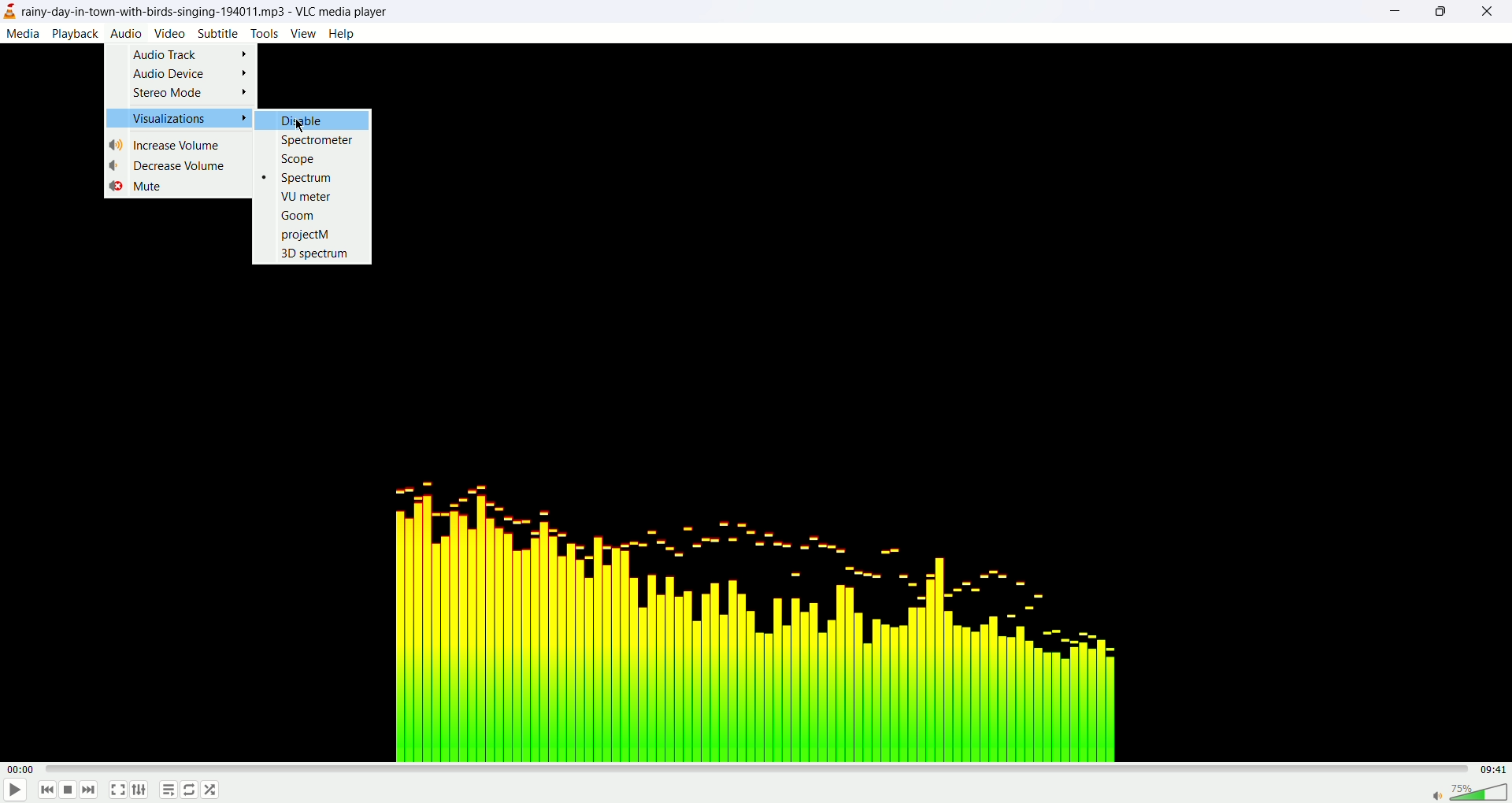 The width and height of the screenshot is (1512, 803). Describe the element at coordinates (191, 54) in the screenshot. I see `audio track` at that location.